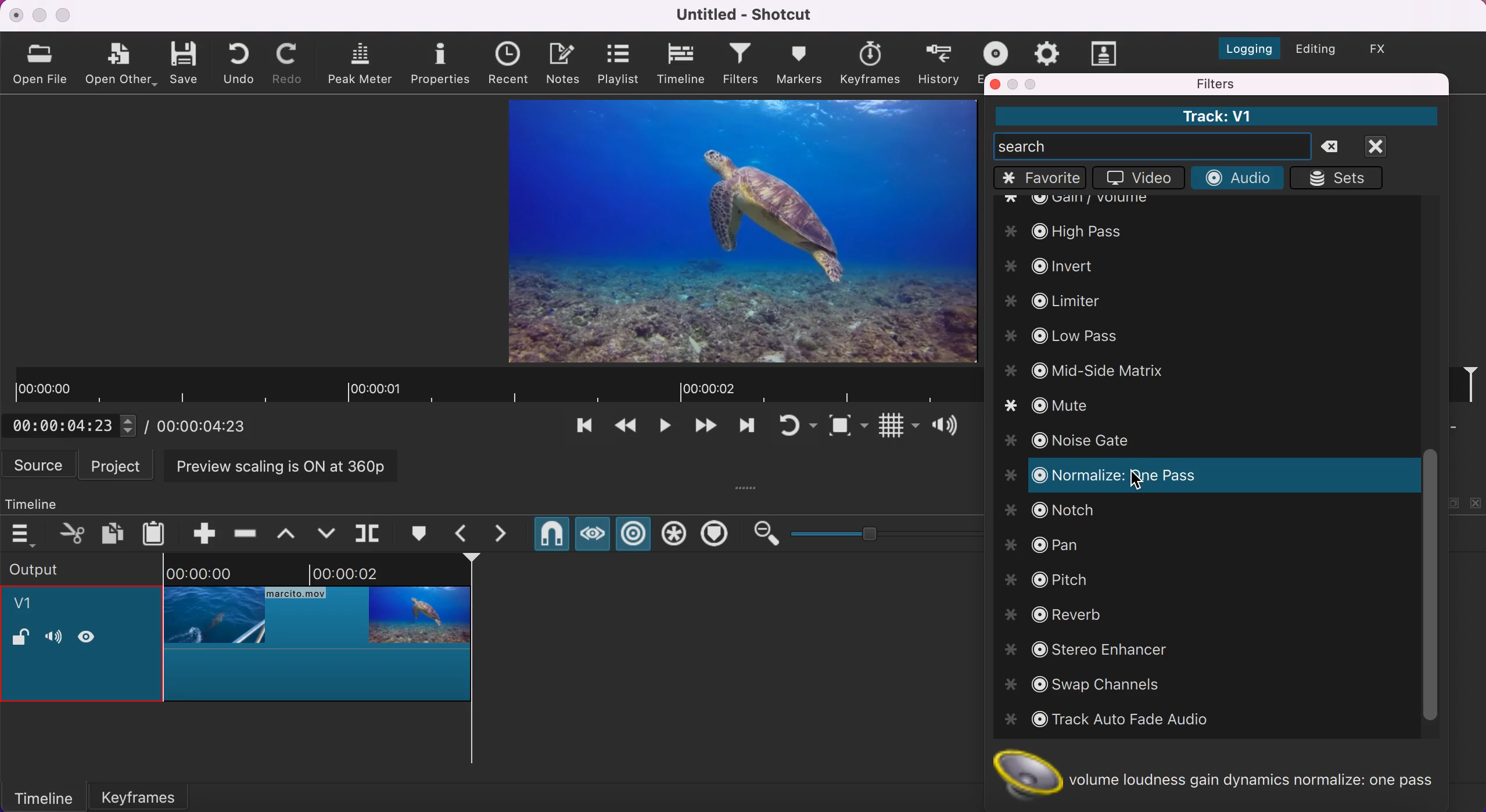 The height and width of the screenshot is (812, 1486). I want to click on ripple, so click(634, 535).